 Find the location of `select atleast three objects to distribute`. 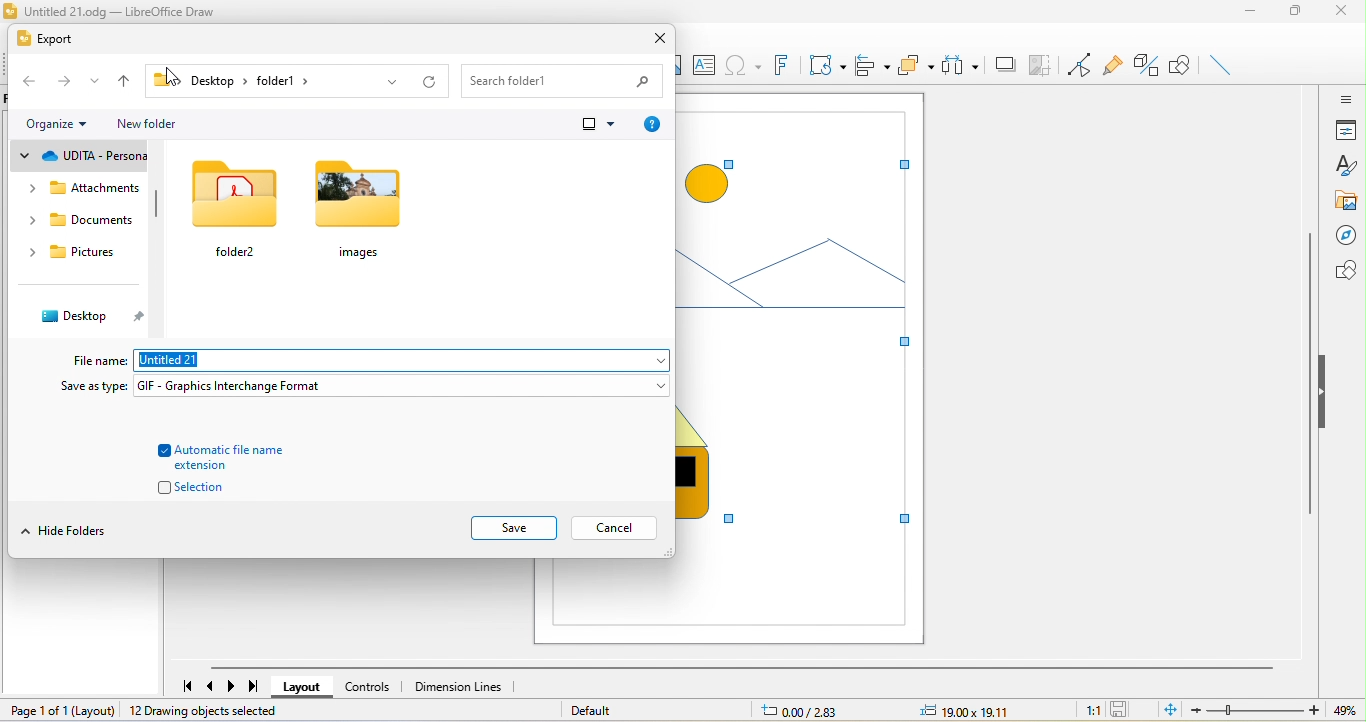

select atleast three objects to distribute is located at coordinates (961, 66).